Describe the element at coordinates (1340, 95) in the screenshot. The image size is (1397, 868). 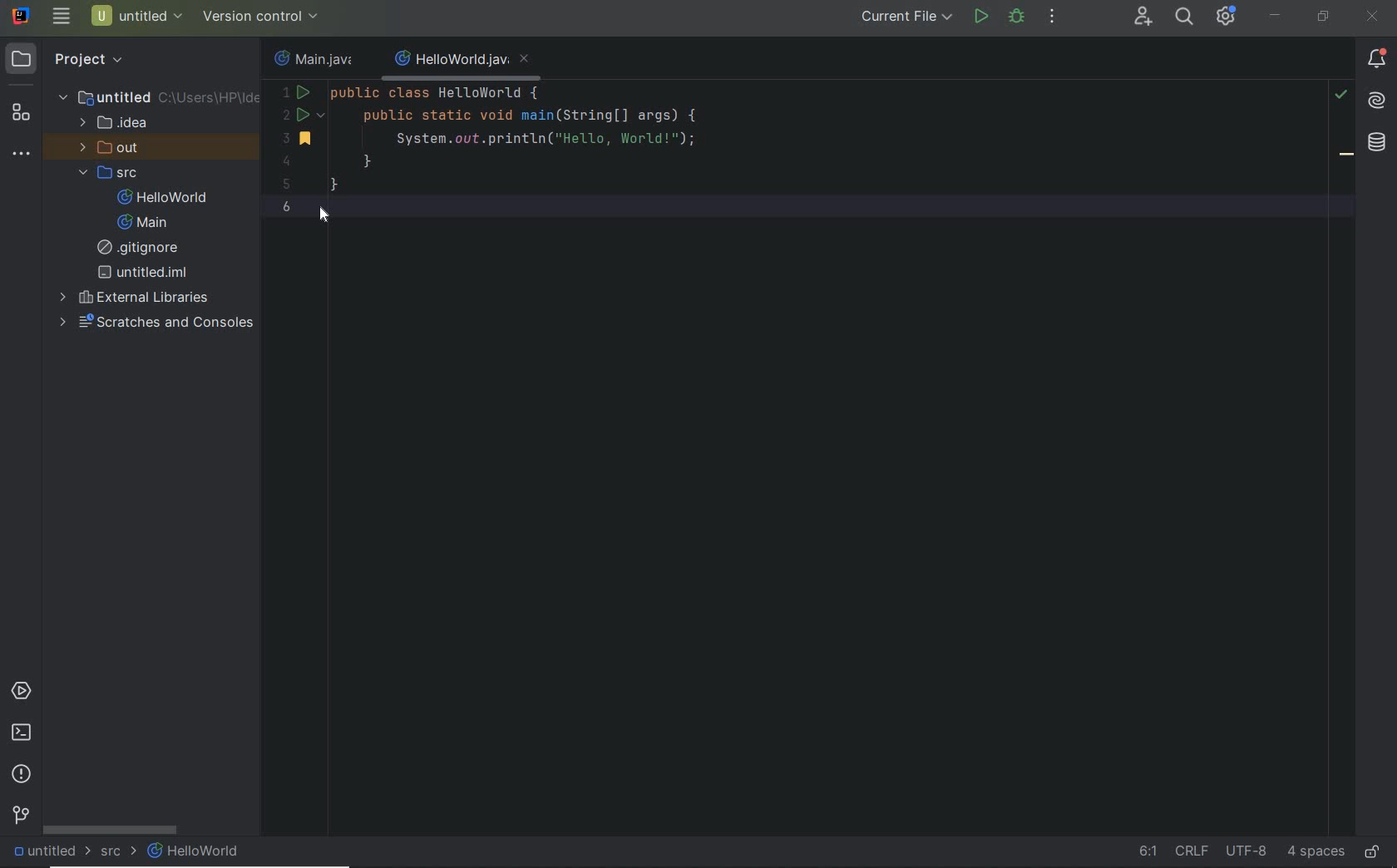
I see `highlight problems` at that location.